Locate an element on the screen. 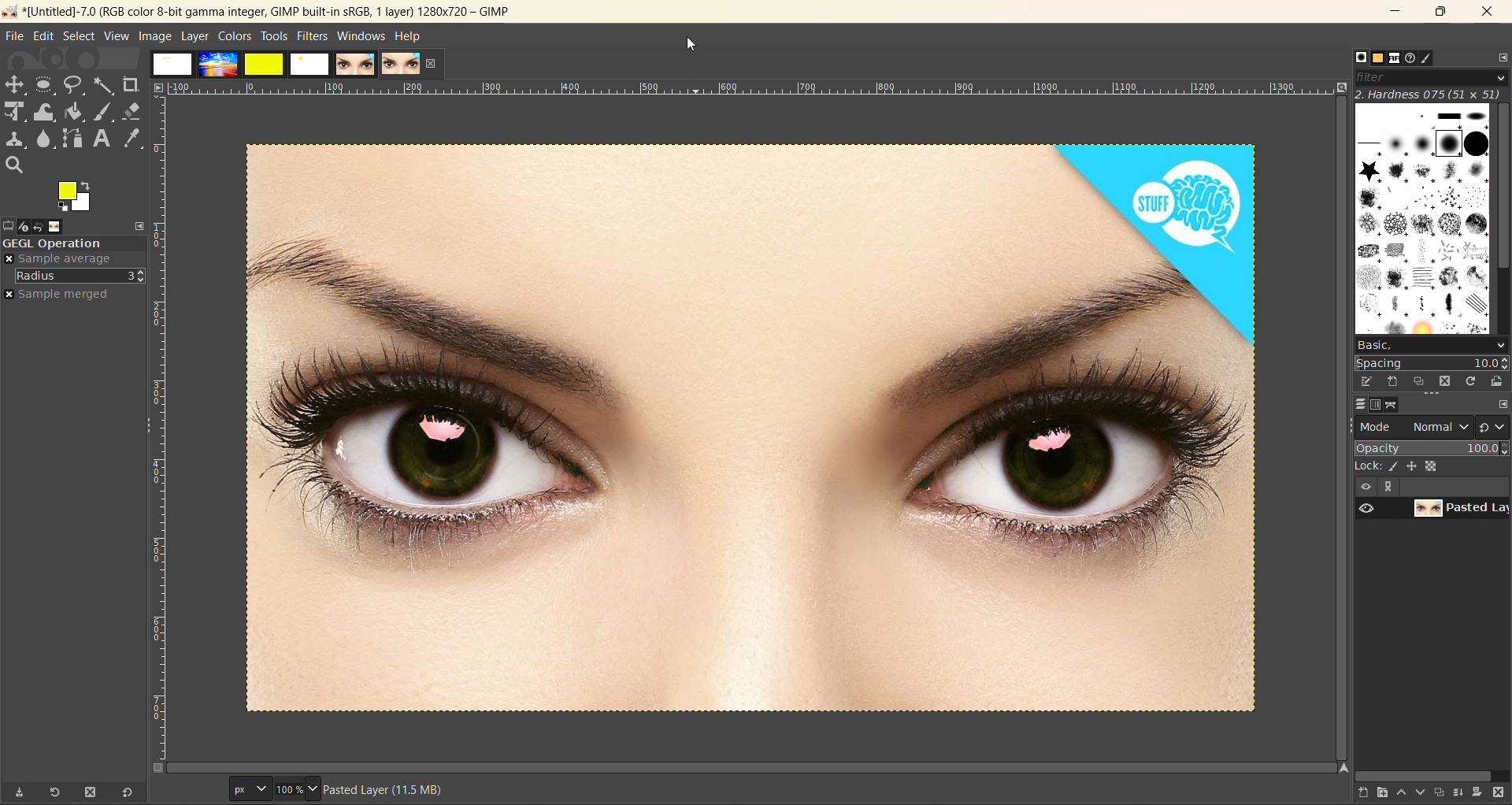 This screenshot has width=1512, height=805. channel is located at coordinates (1376, 405).